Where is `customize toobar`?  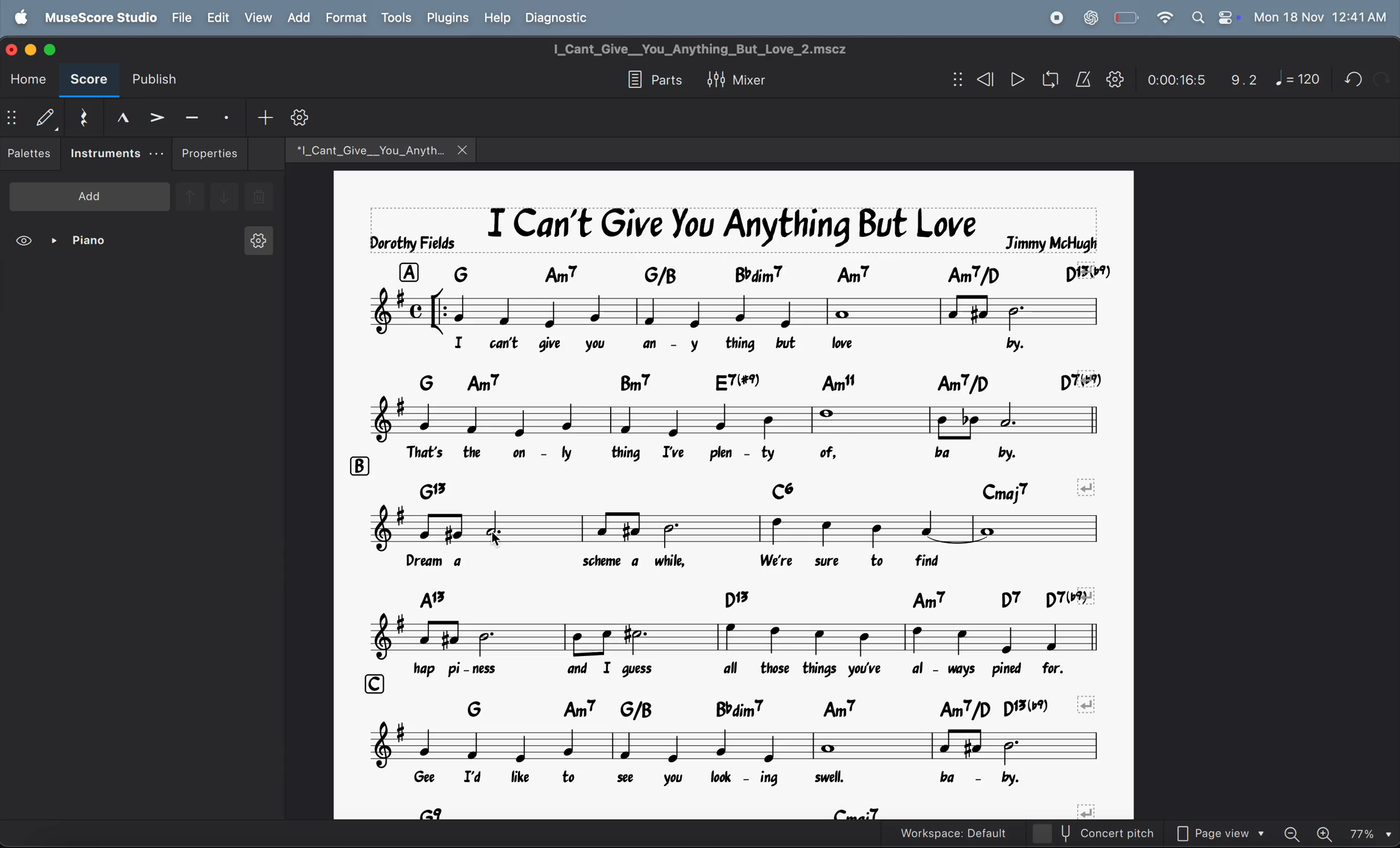 customize toobar is located at coordinates (299, 118).